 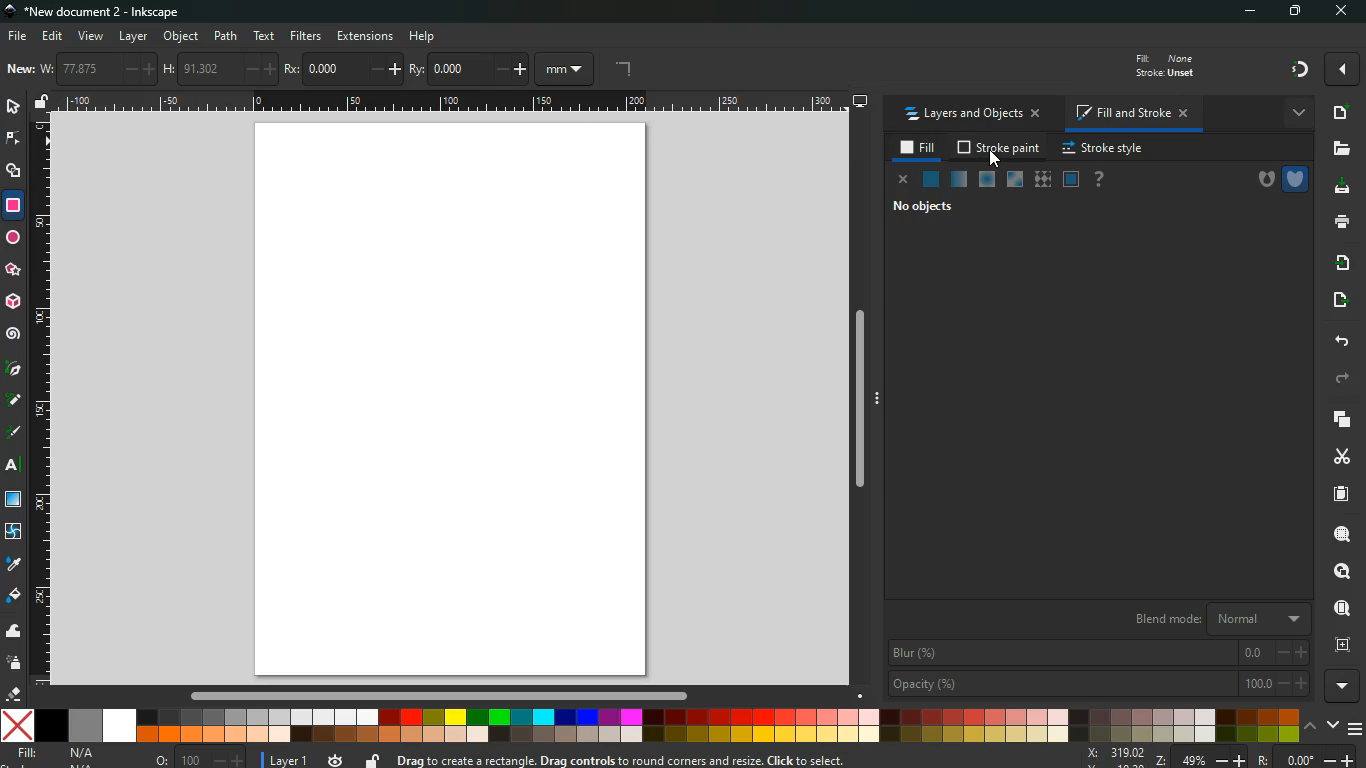 I want to click on twist, so click(x=13, y=530).